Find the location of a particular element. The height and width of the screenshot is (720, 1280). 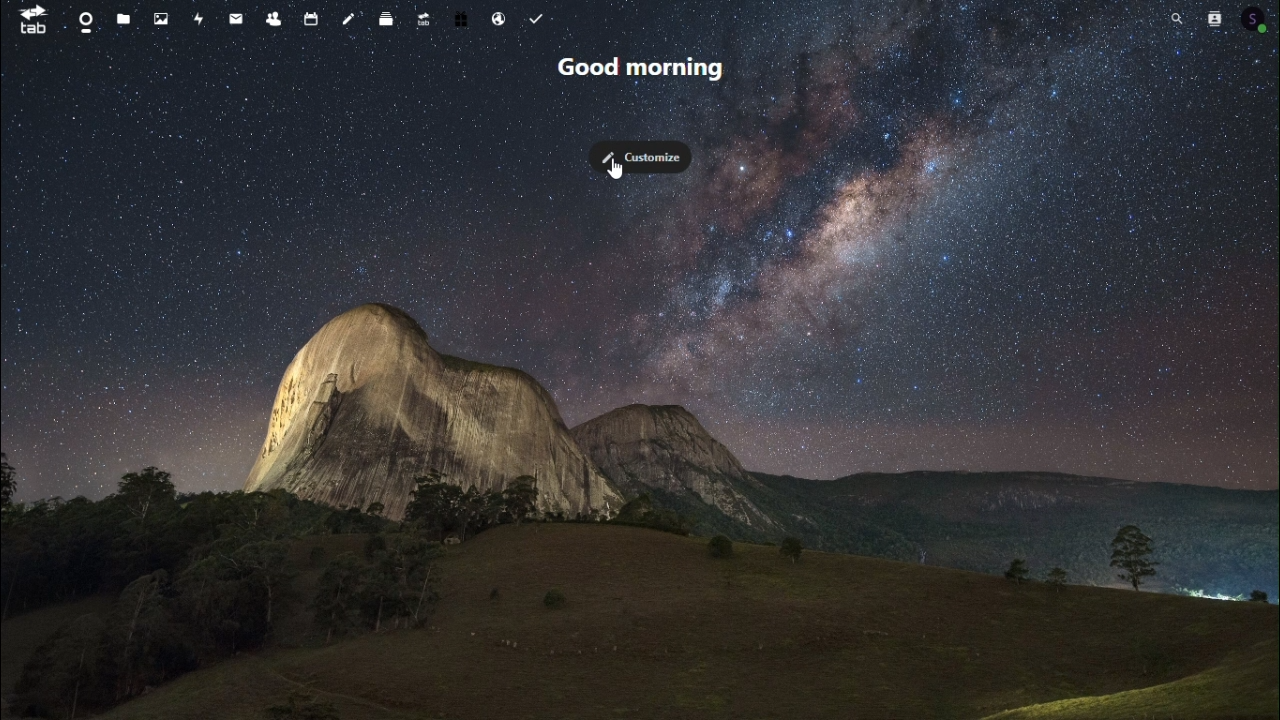

Cursor is located at coordinates (615, 170).